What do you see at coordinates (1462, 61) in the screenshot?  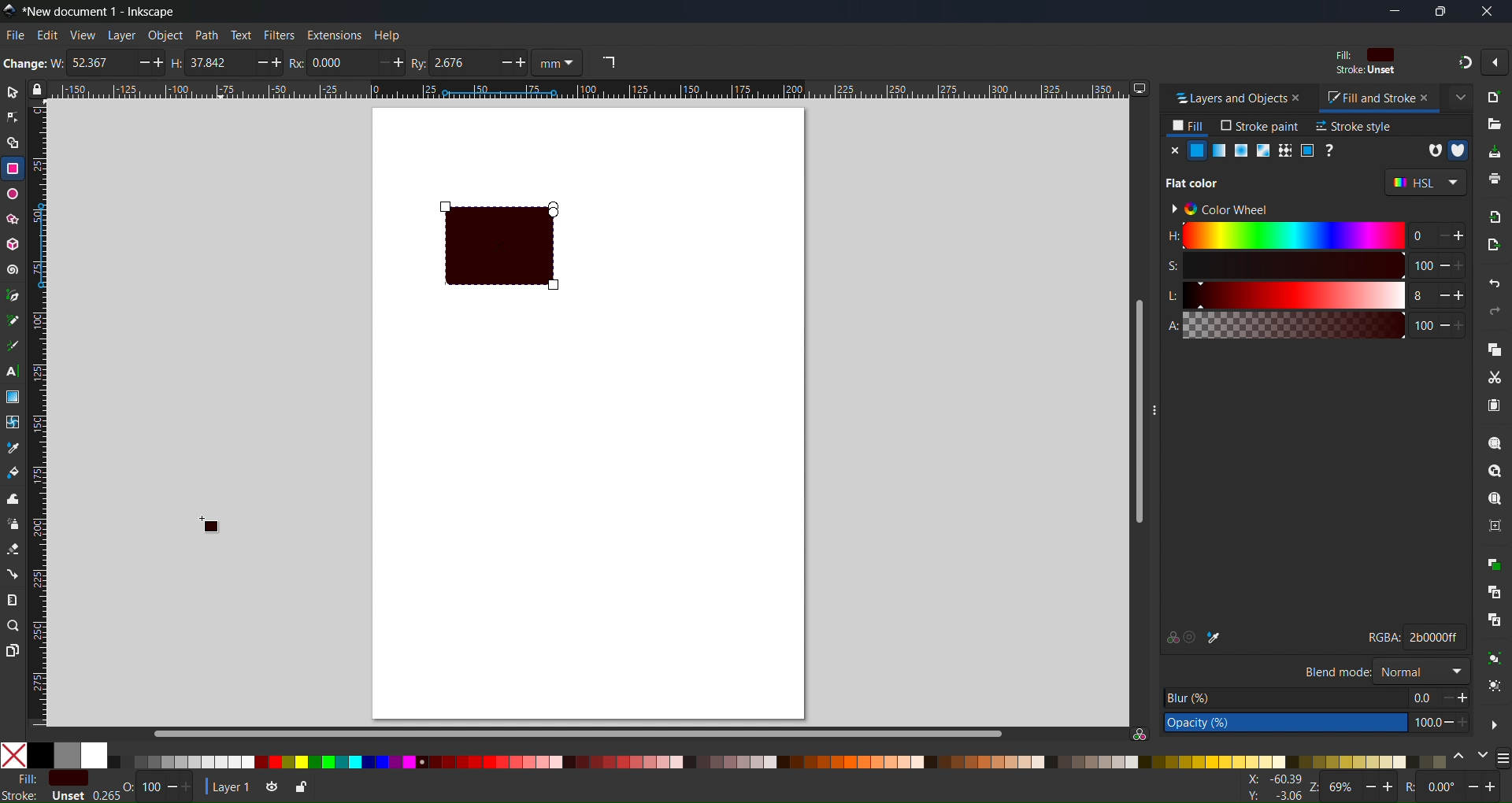 I see `Snapping` at bounding box center [1462, 61].